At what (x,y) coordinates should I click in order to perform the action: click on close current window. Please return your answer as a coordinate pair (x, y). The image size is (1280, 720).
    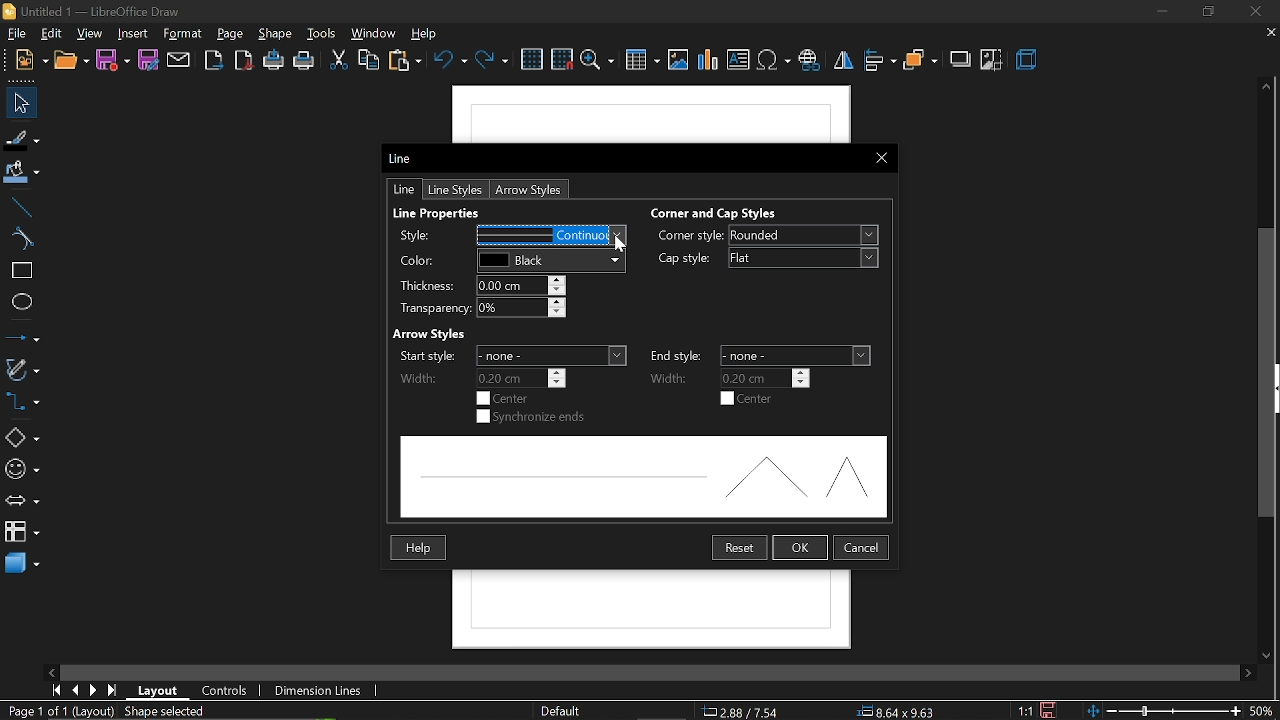
    Looking at the image, I should click on (882, 158).